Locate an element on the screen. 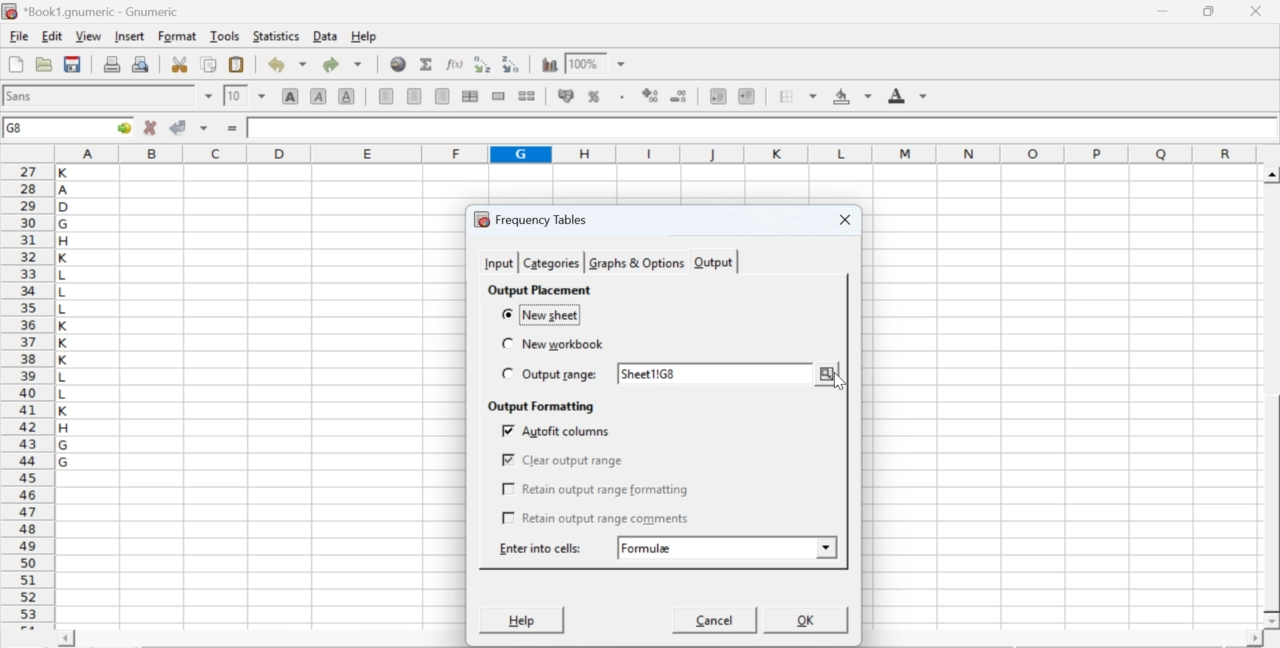  accept changes is located at coordinates (179, 126).